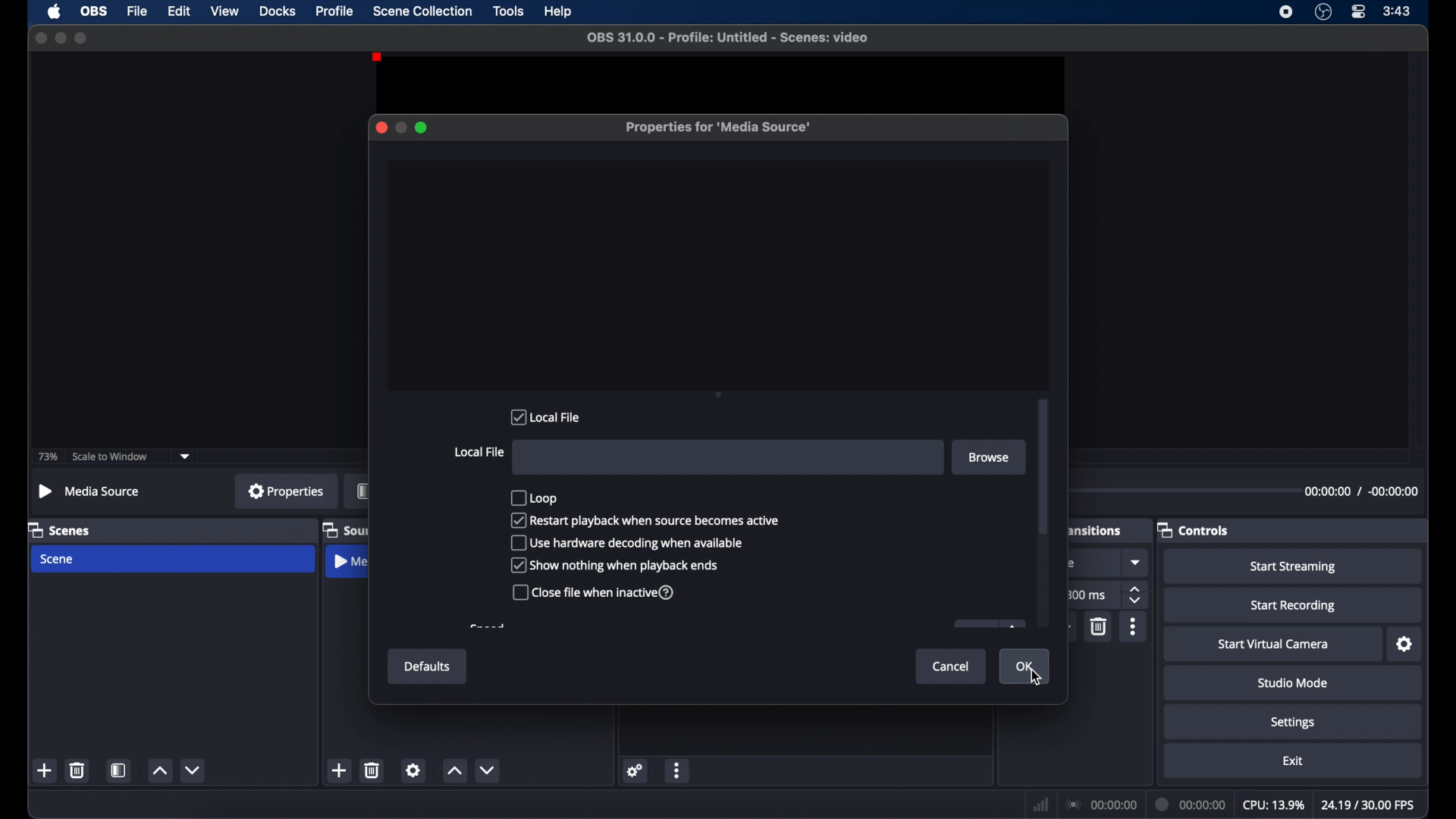 Image resolution: width=1456 pixels, height=819 pixels. I want to click on 300 ms, so click(1087, 594).